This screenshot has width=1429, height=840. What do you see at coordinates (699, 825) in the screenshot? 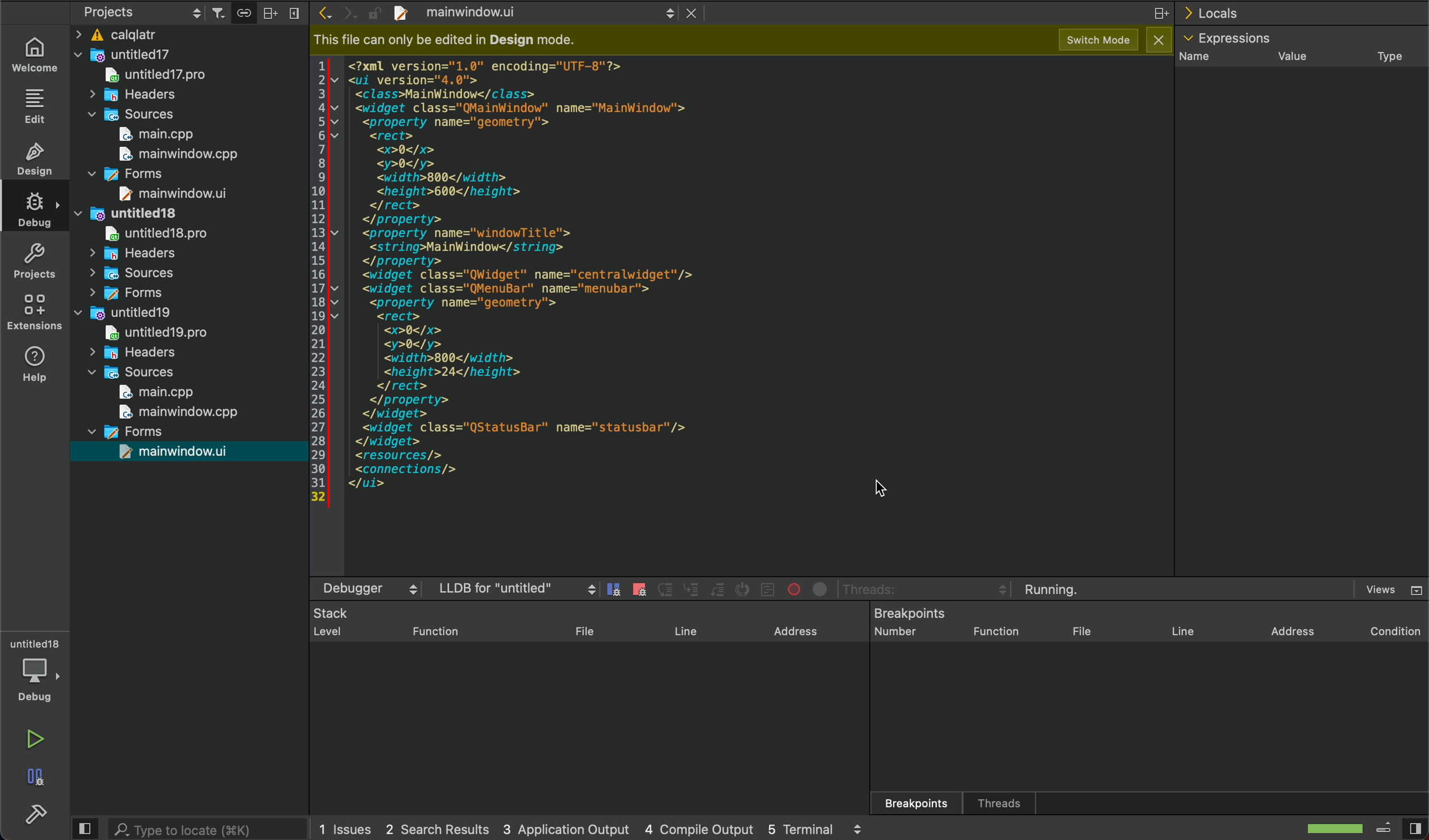
I see `4 compile output` at bounding box center [699, 825].